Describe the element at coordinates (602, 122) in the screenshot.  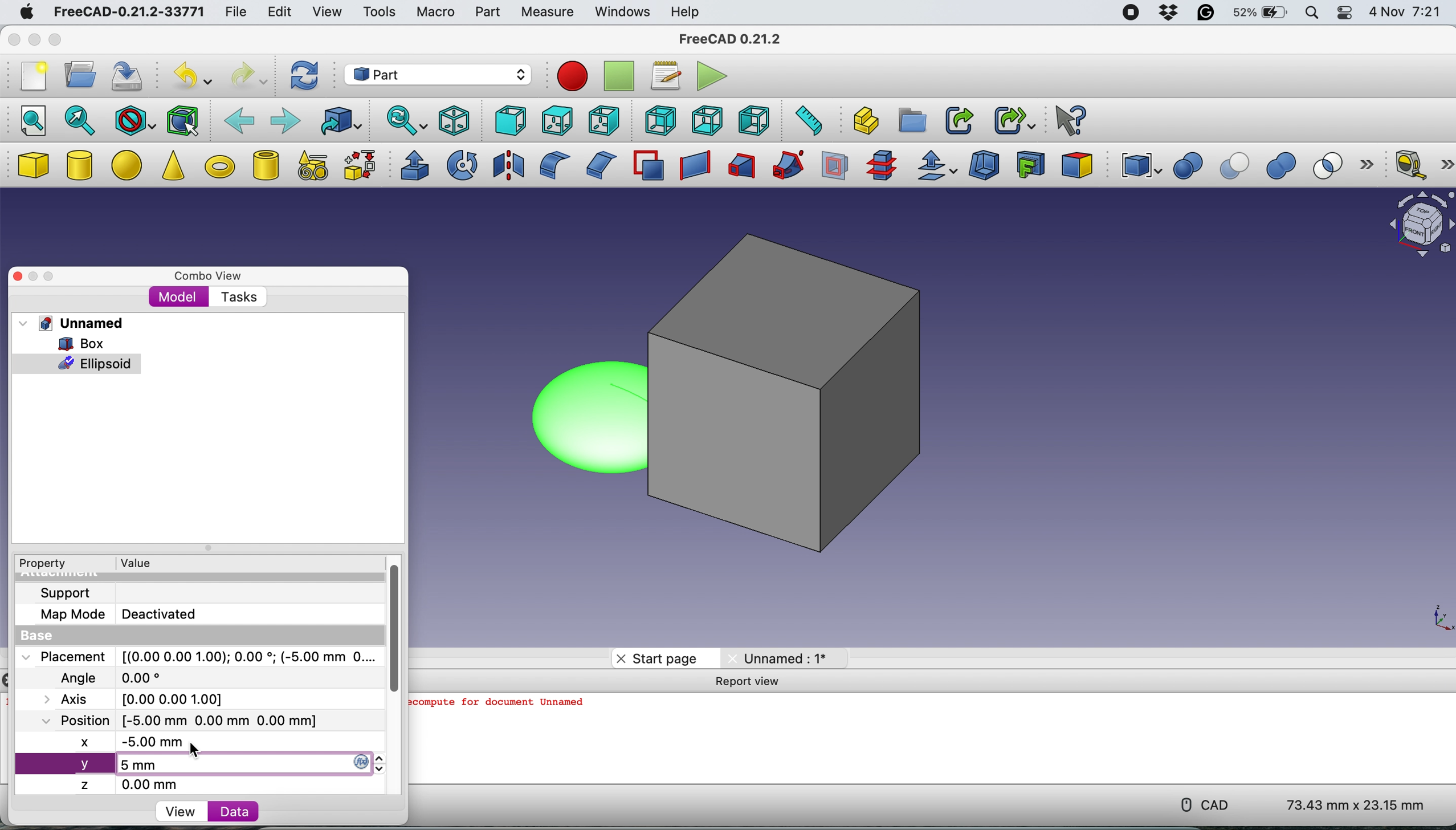
I see `right` at that location.